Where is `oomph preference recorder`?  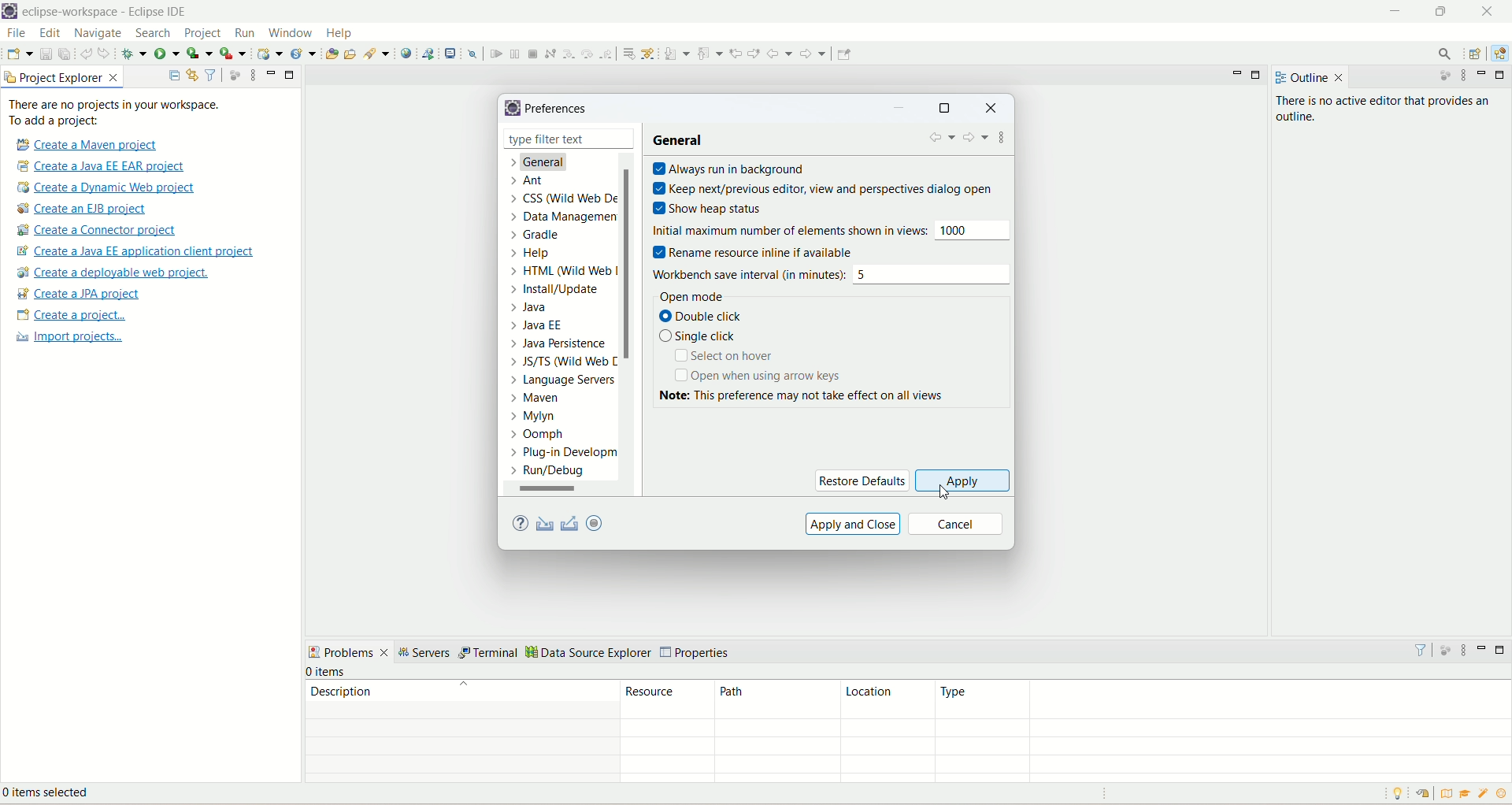
oomph preference recorder is located at coordinates (594, 523).